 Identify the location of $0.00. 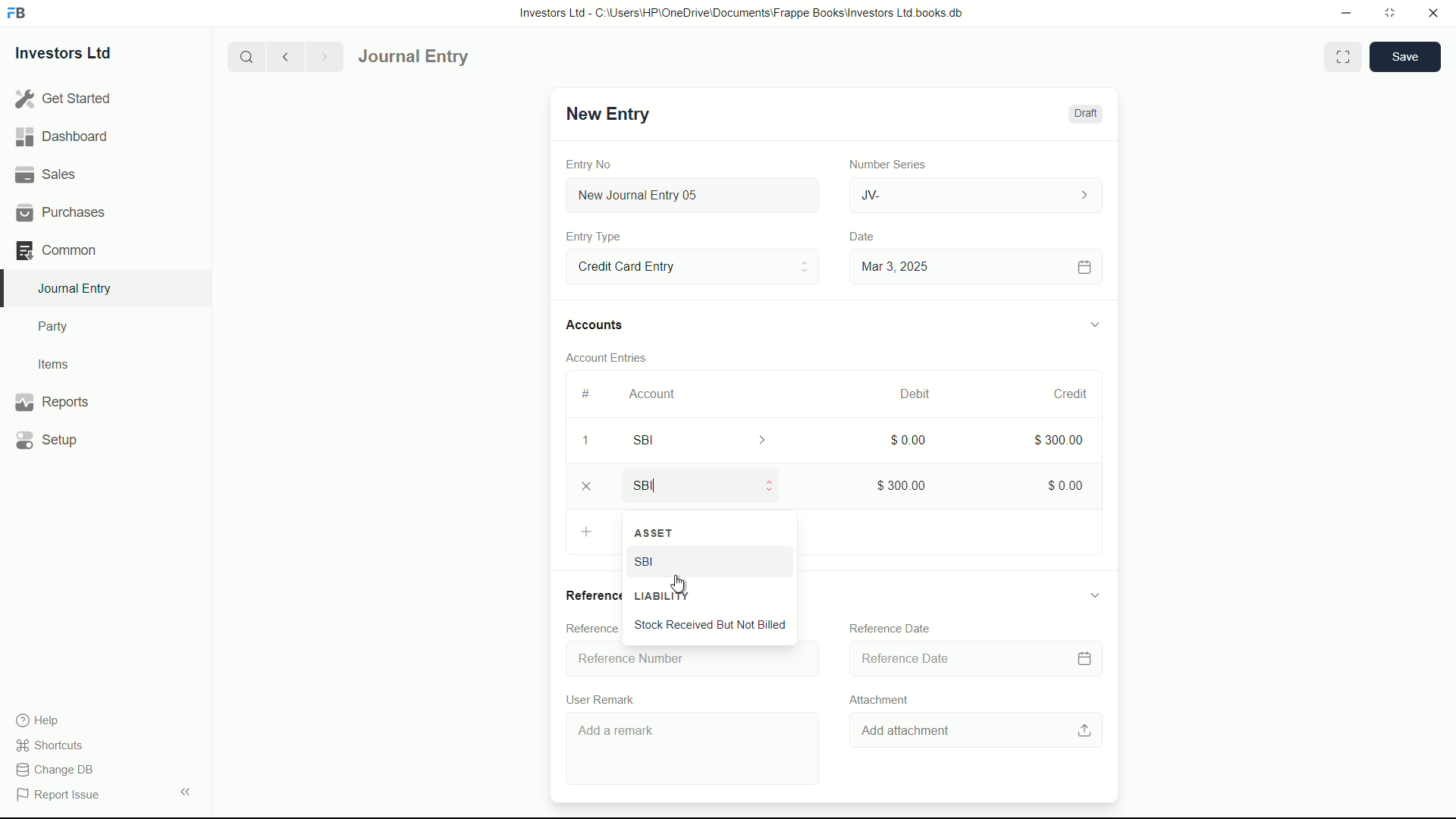
(1064, 484).